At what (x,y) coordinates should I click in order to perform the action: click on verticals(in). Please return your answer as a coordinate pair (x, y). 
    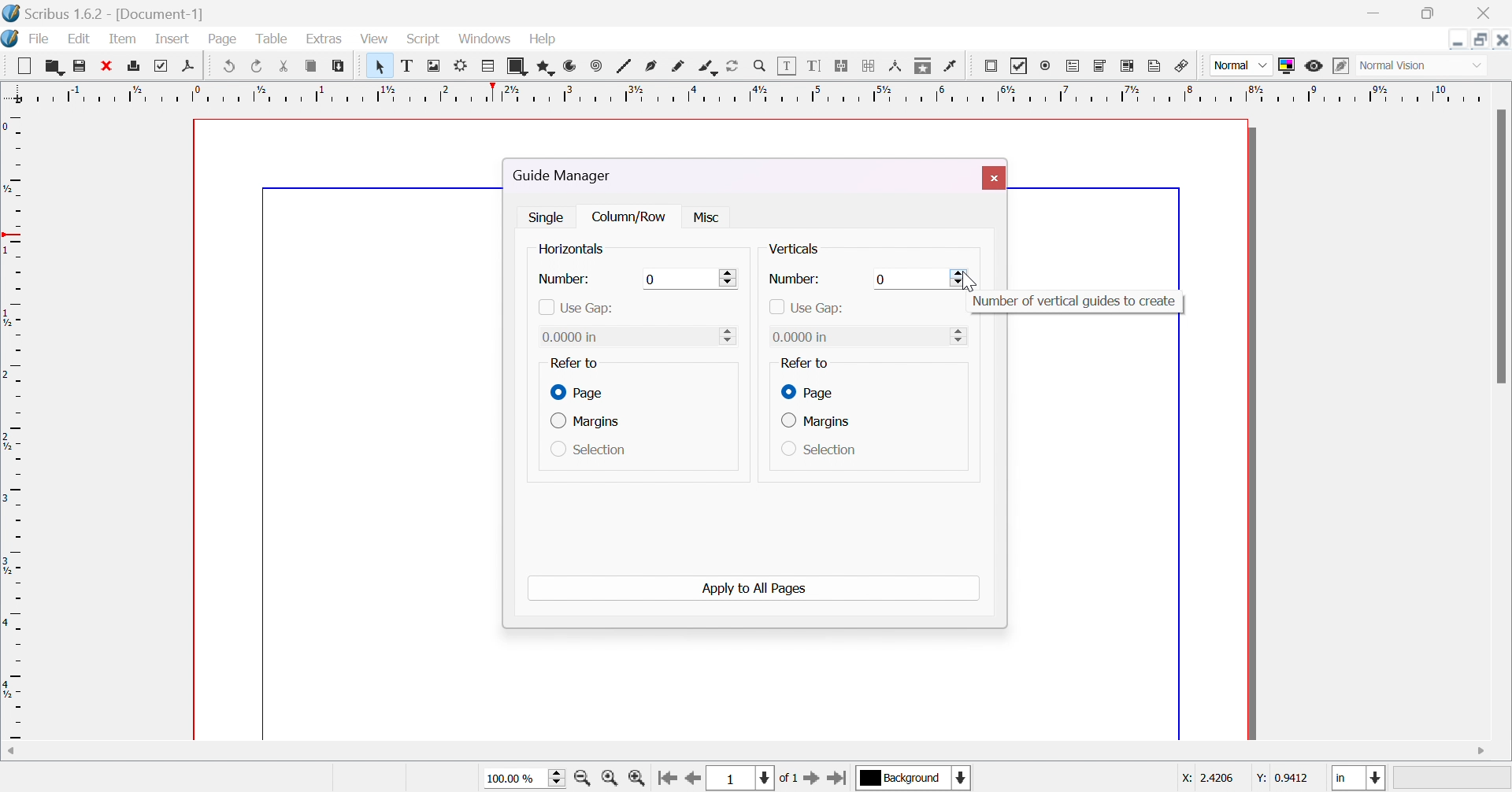
    Looking at the image, I should click on (806, 249).